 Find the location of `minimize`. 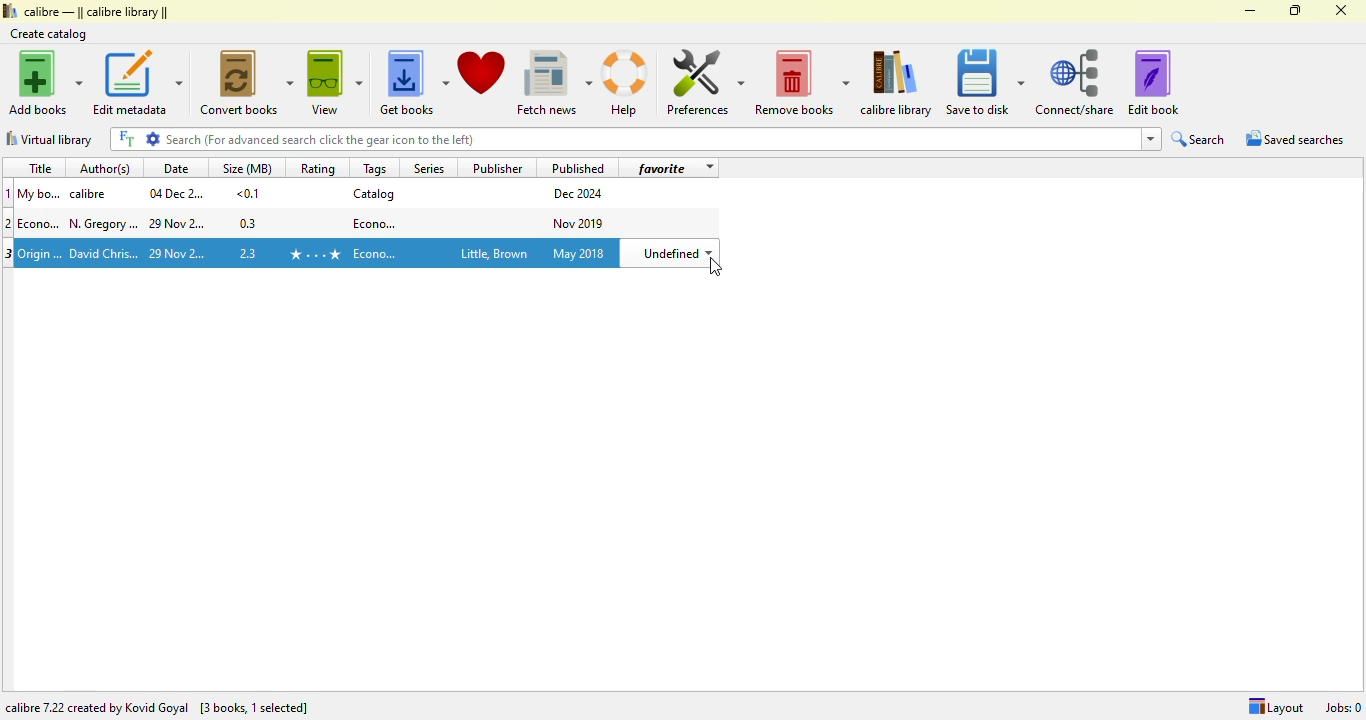

minimize is located at coordinates (1251, 11).